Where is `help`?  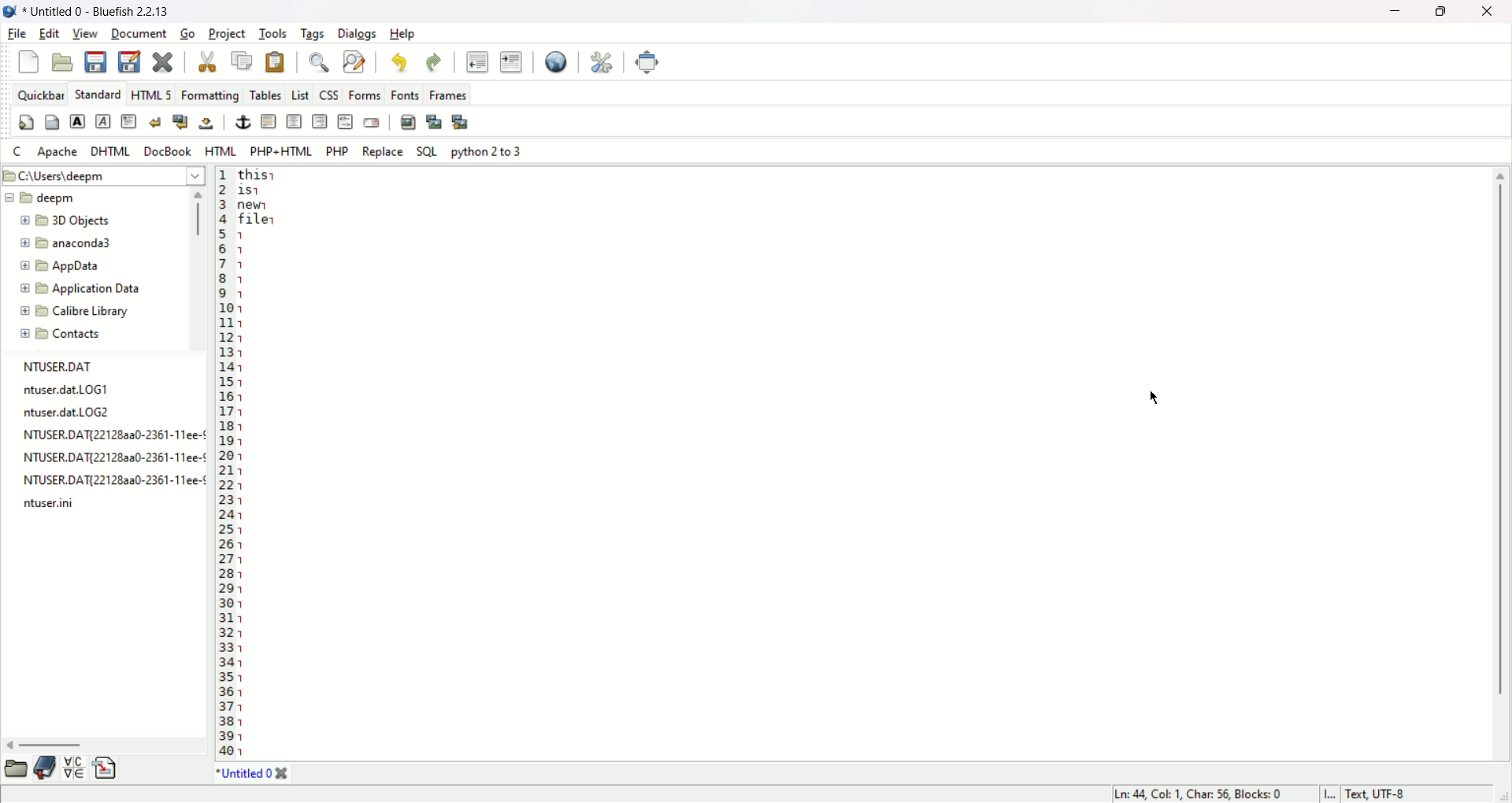
help is located at coordinates (406, 34).